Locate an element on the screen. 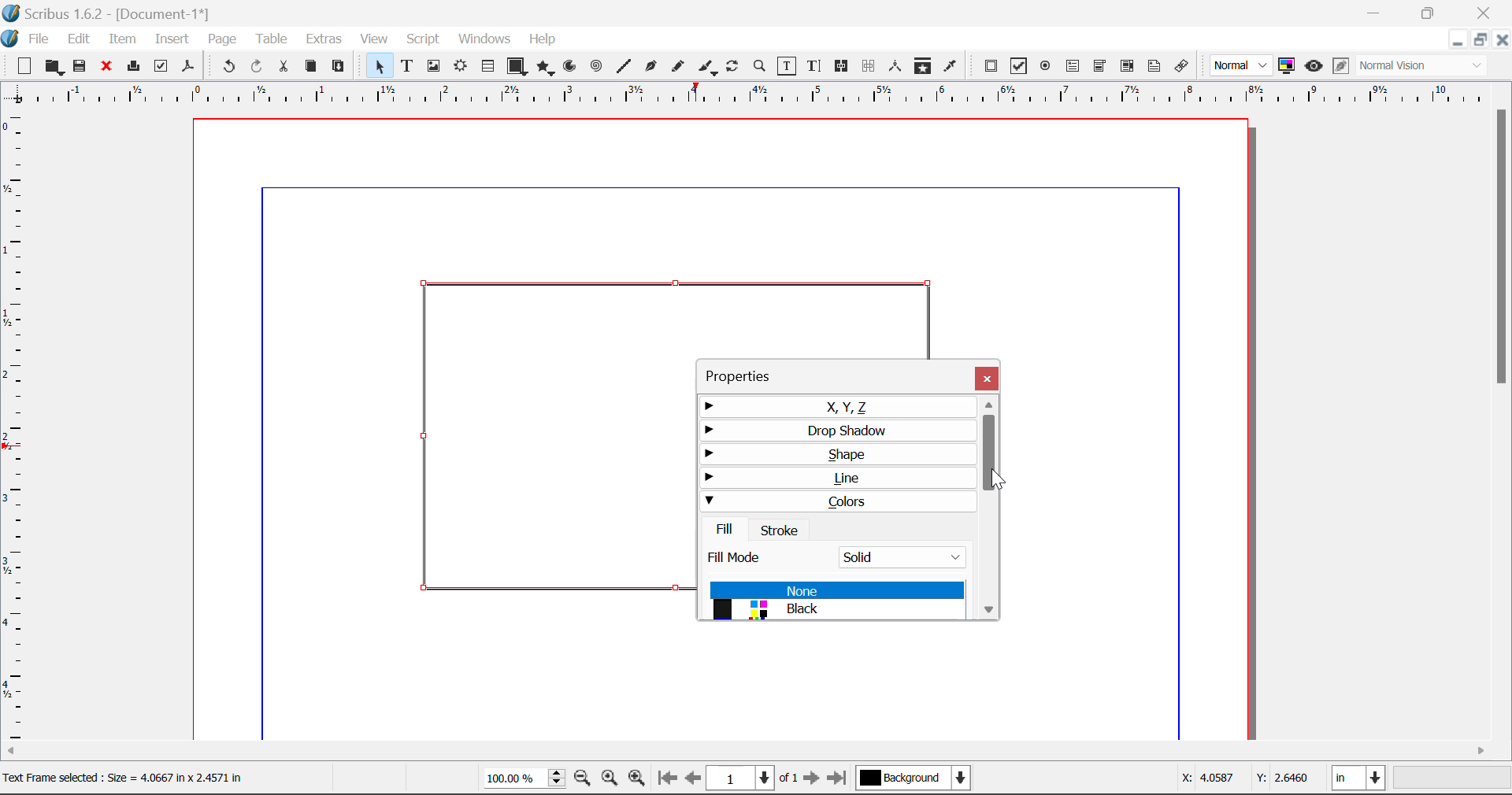 The height and width of the screenshot is (795, 1512). Save is located at coordinates (81, 66).